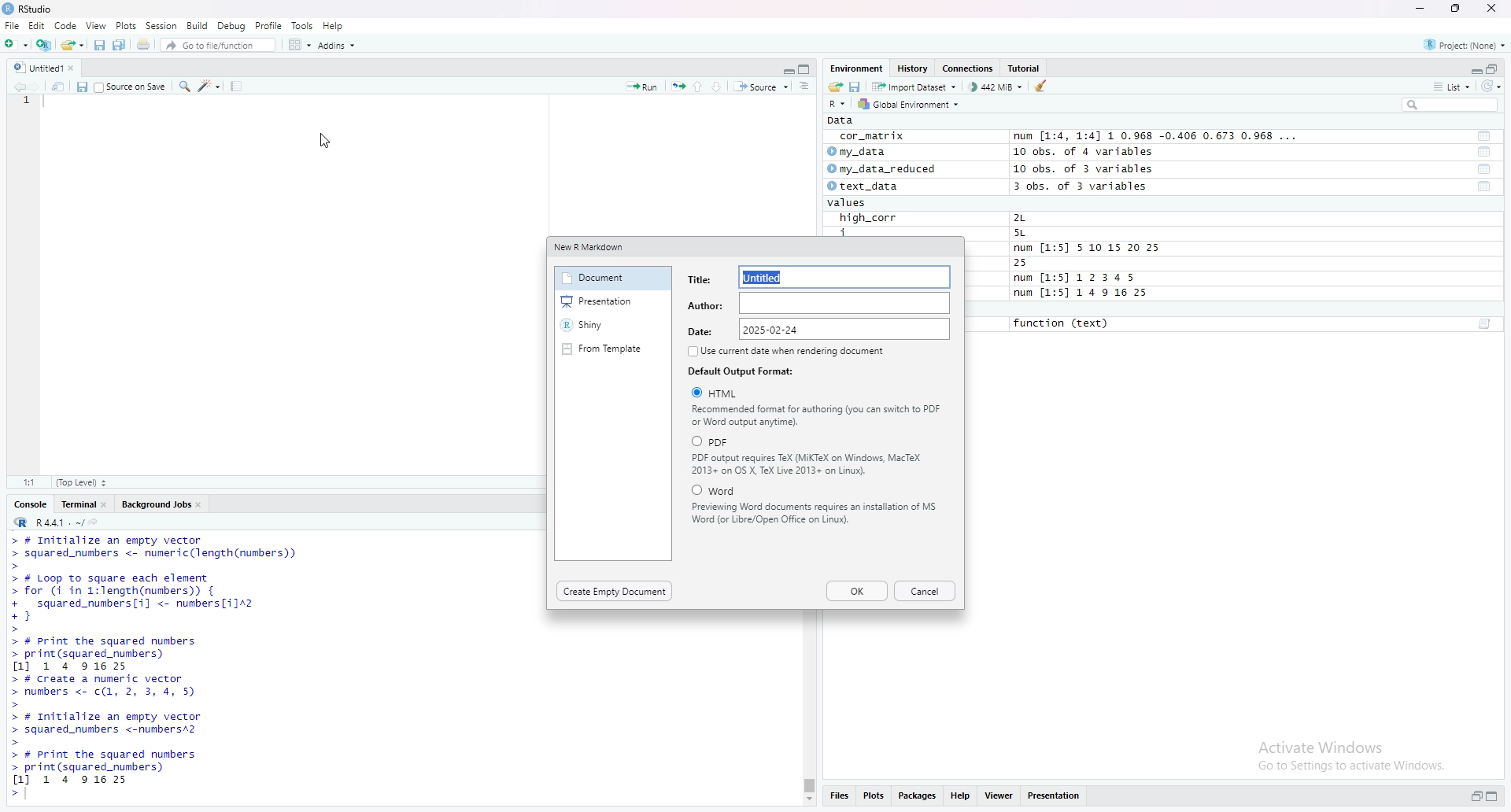 This screenshot has width=1511, height=812. I want to click on values, so click(857, 203).